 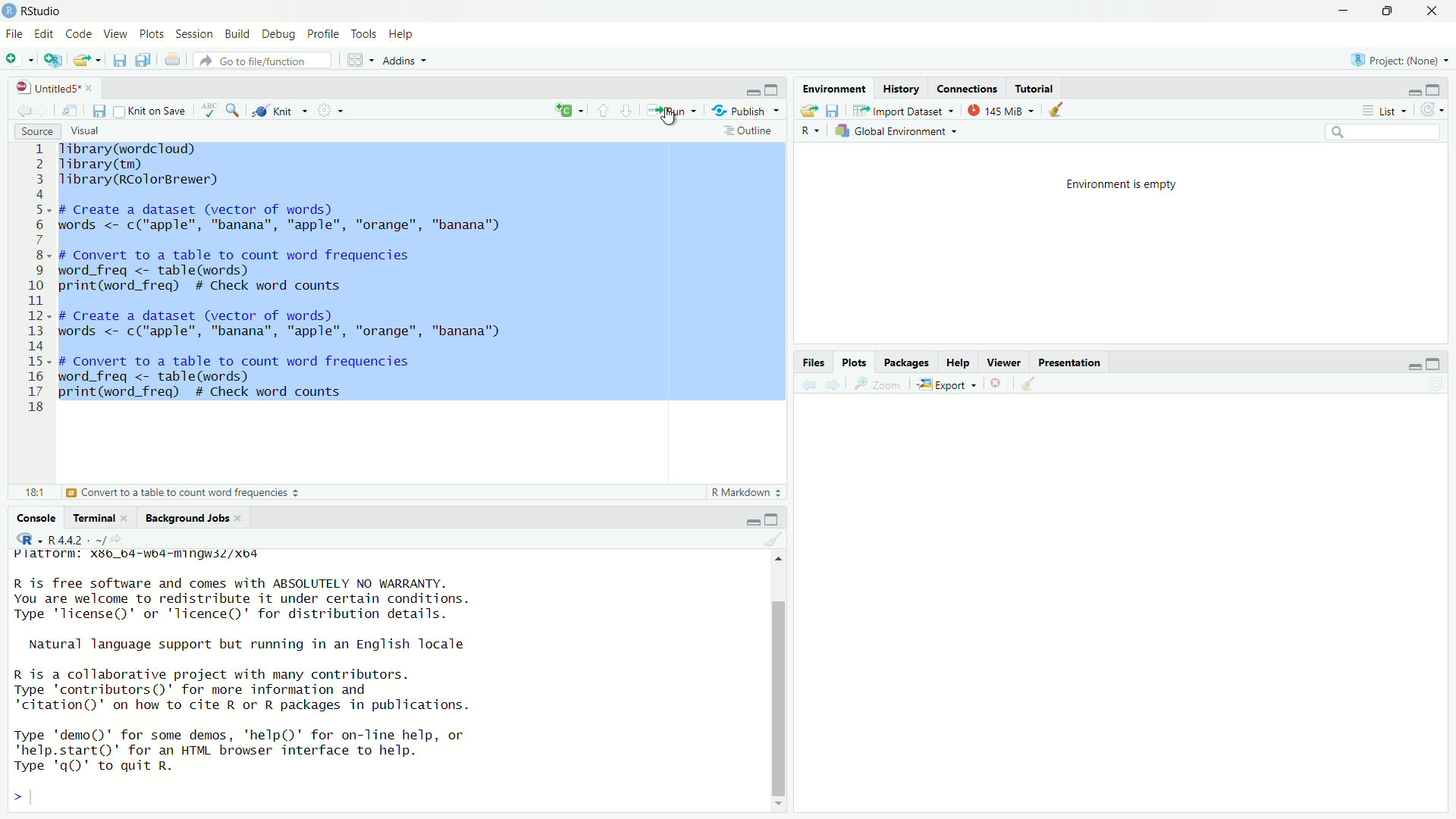 I want to click on 18:1, so click(x=31, y=491).